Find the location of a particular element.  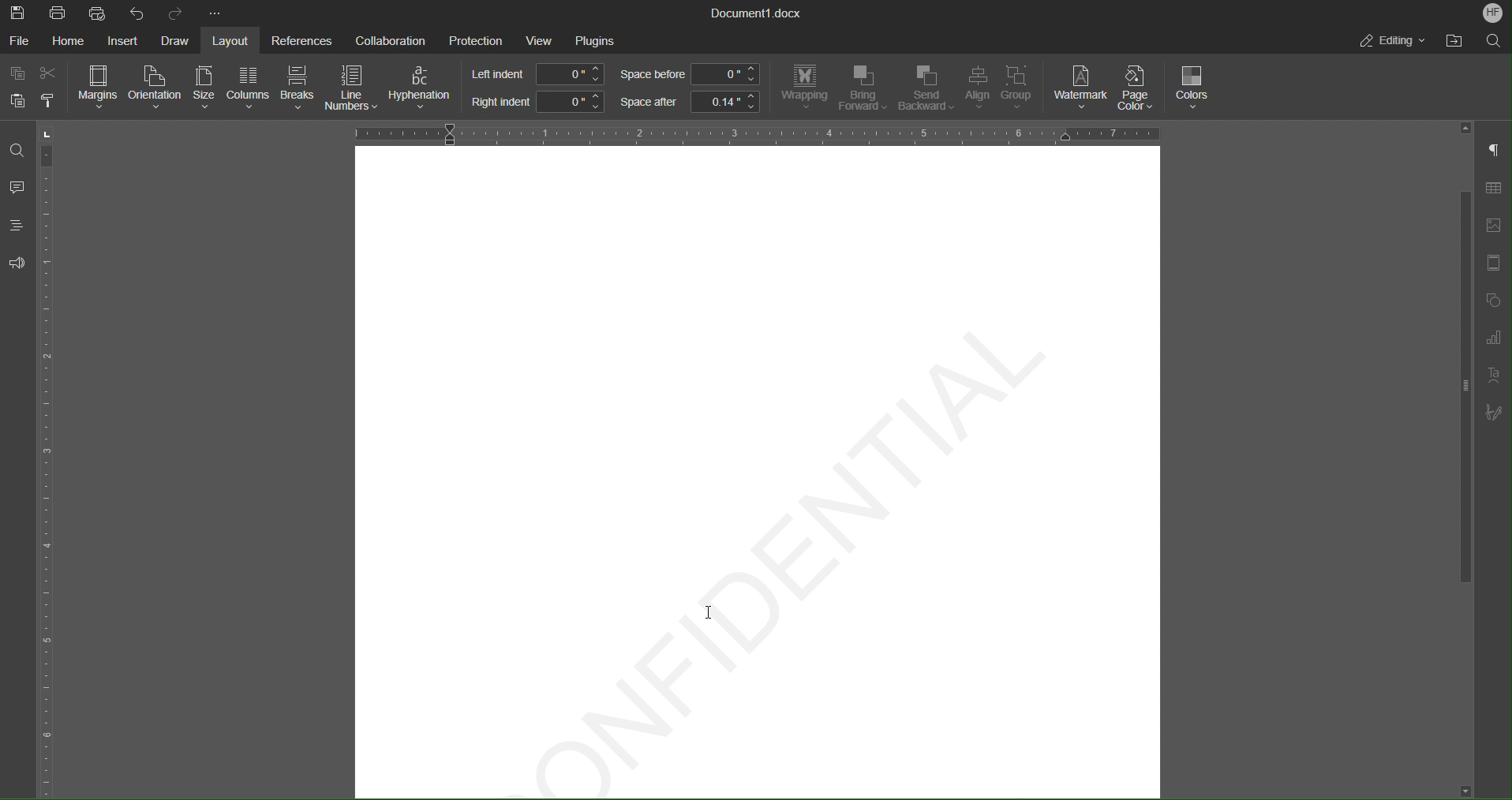

Columns is located at coordinates (246, 88).